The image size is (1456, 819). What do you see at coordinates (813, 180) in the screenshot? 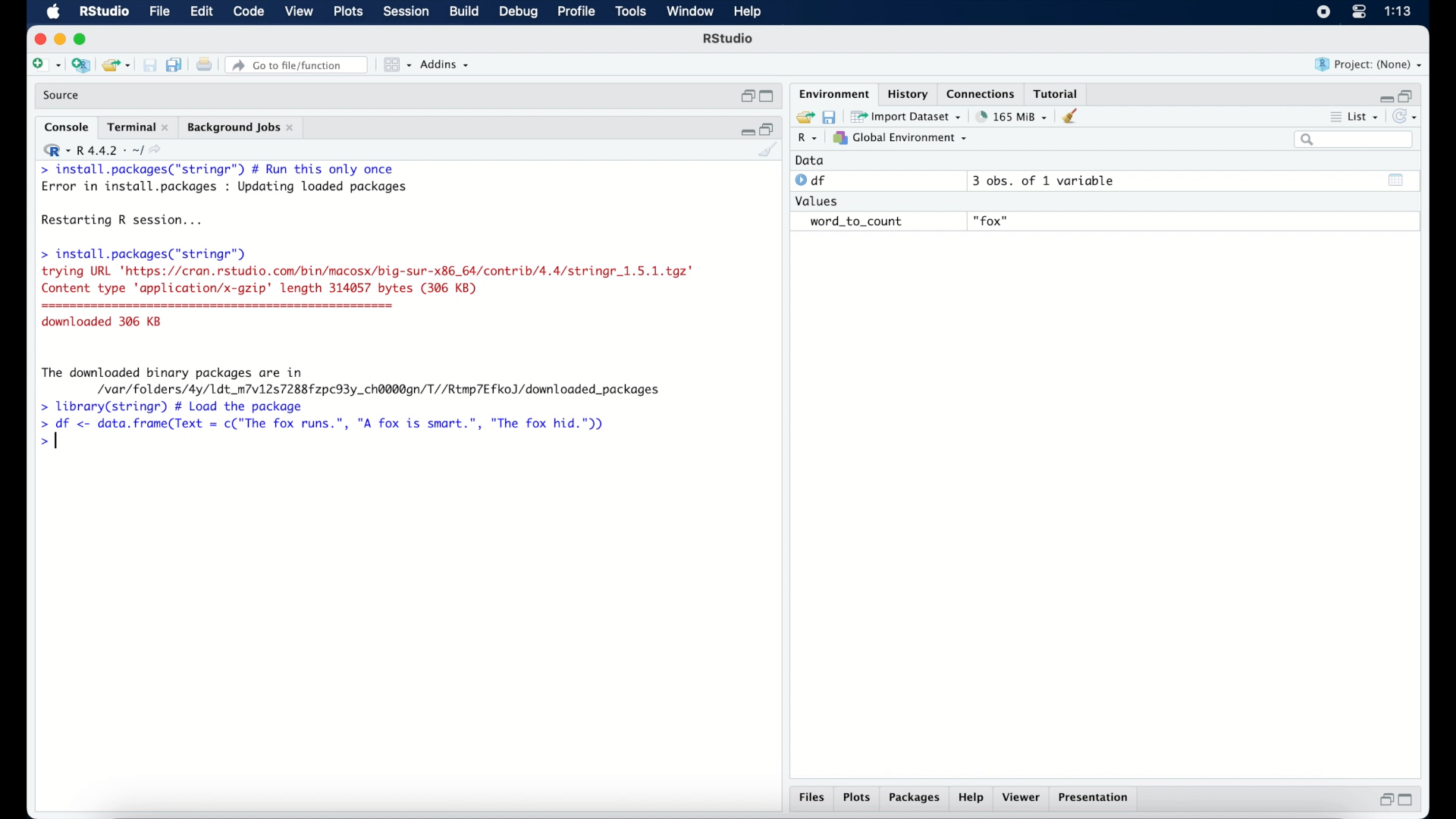
I see `df` at bounding box center [813, 180].